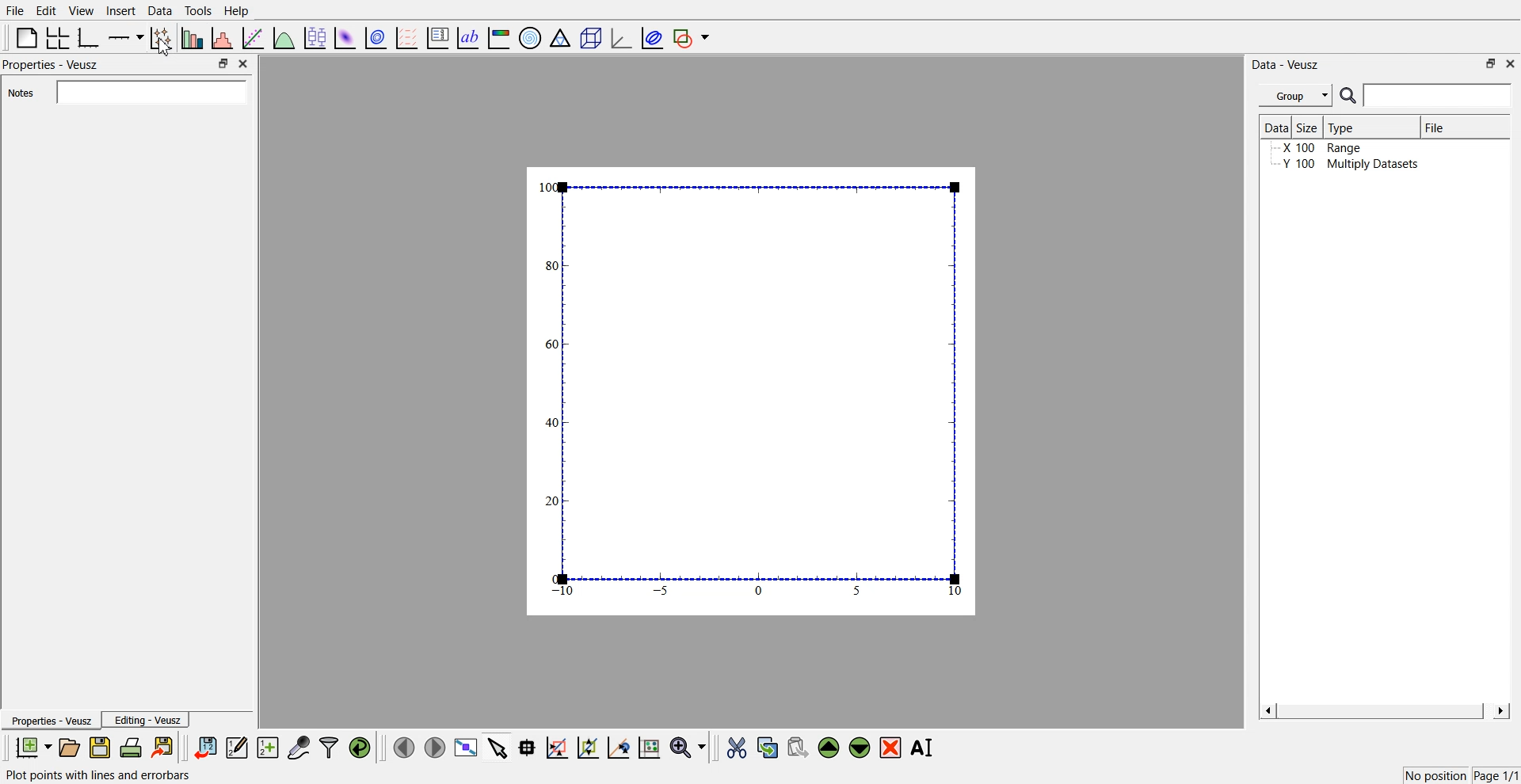 This screenshot has width=1521, height=784. I want to click on polar graph, so click(529, 40).